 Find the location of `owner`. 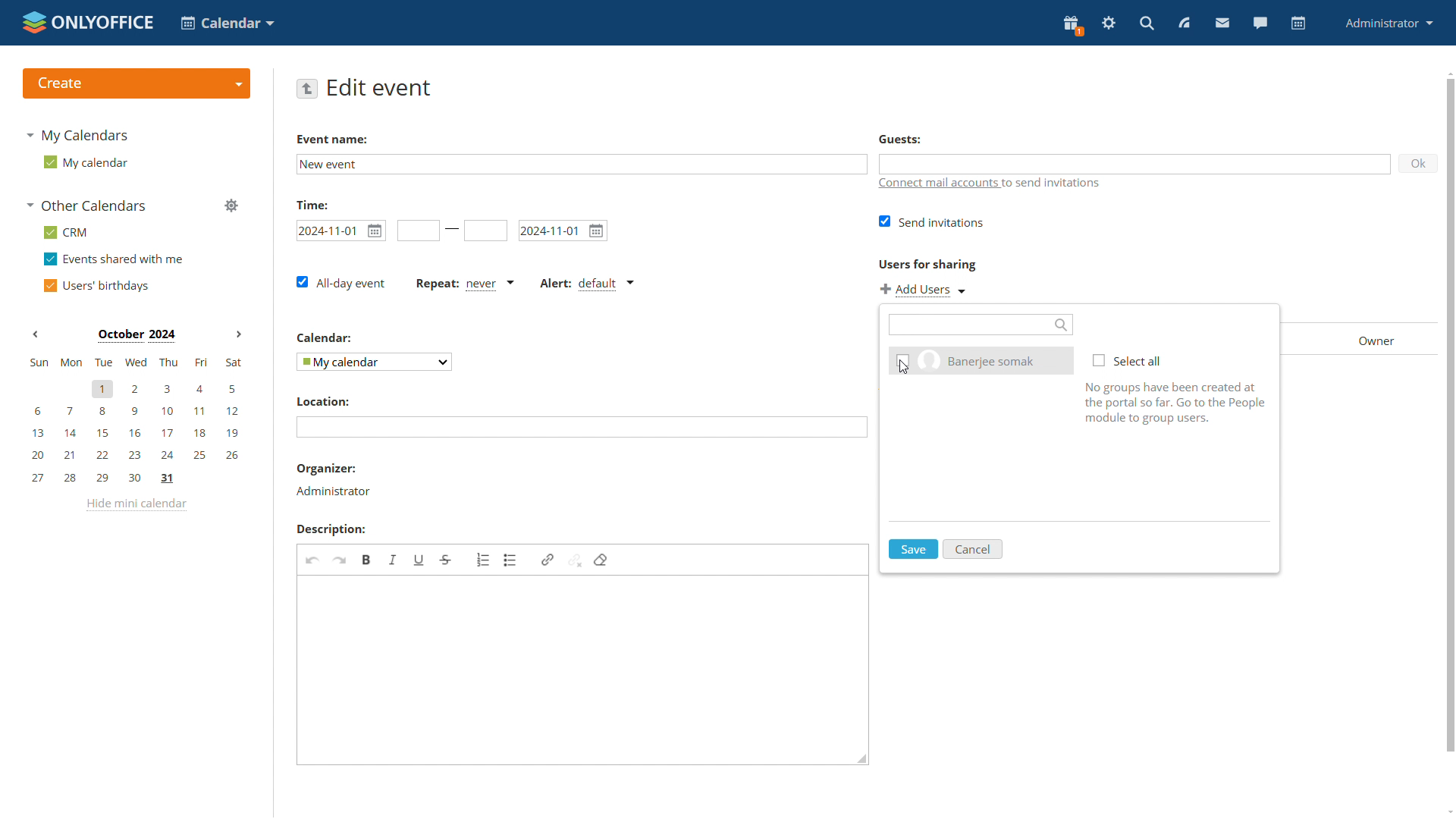

owner is located at coordinates (1372, 338).